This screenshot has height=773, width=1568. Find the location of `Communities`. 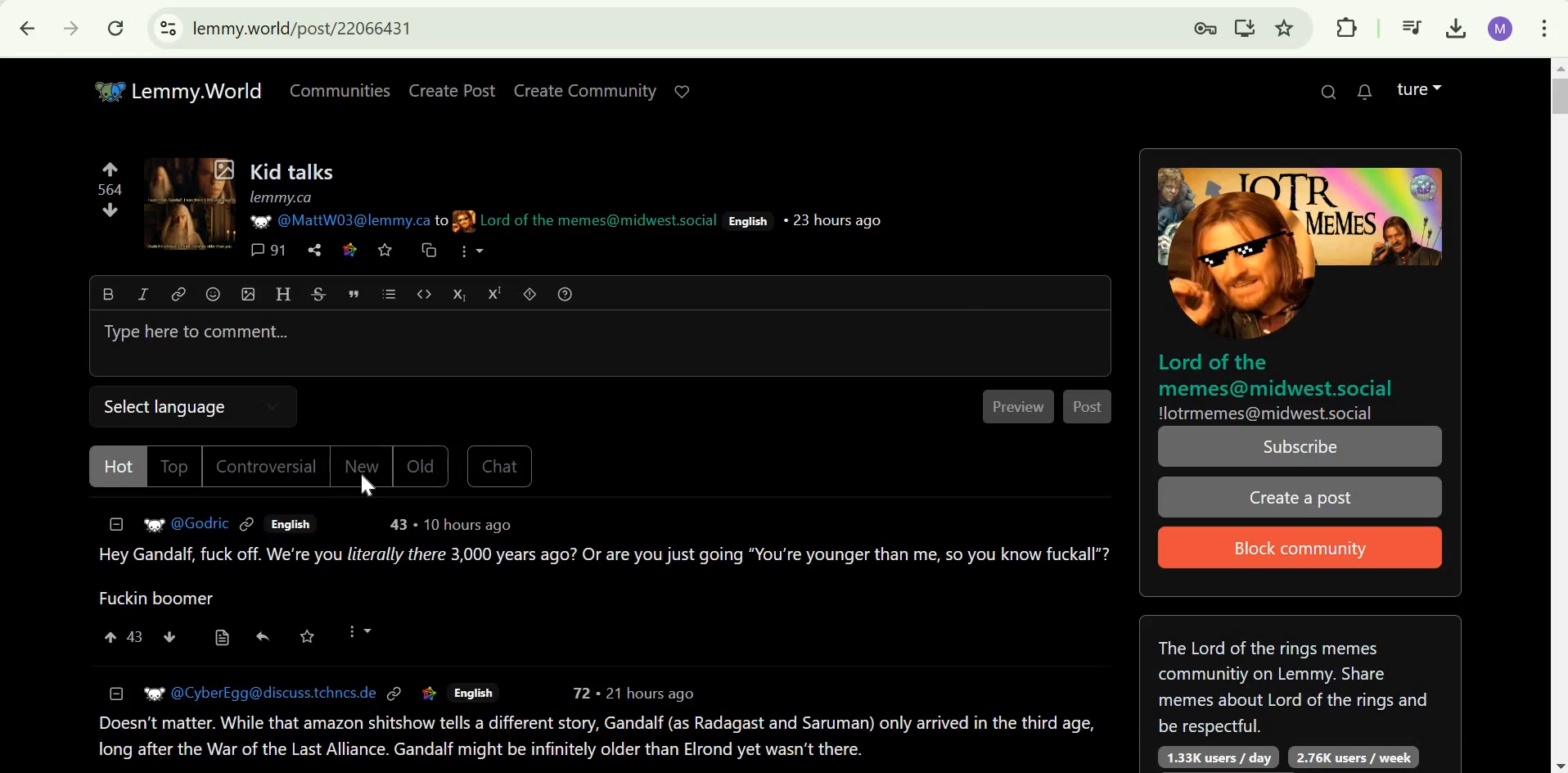

Communities is located at coordinates (340, 90).